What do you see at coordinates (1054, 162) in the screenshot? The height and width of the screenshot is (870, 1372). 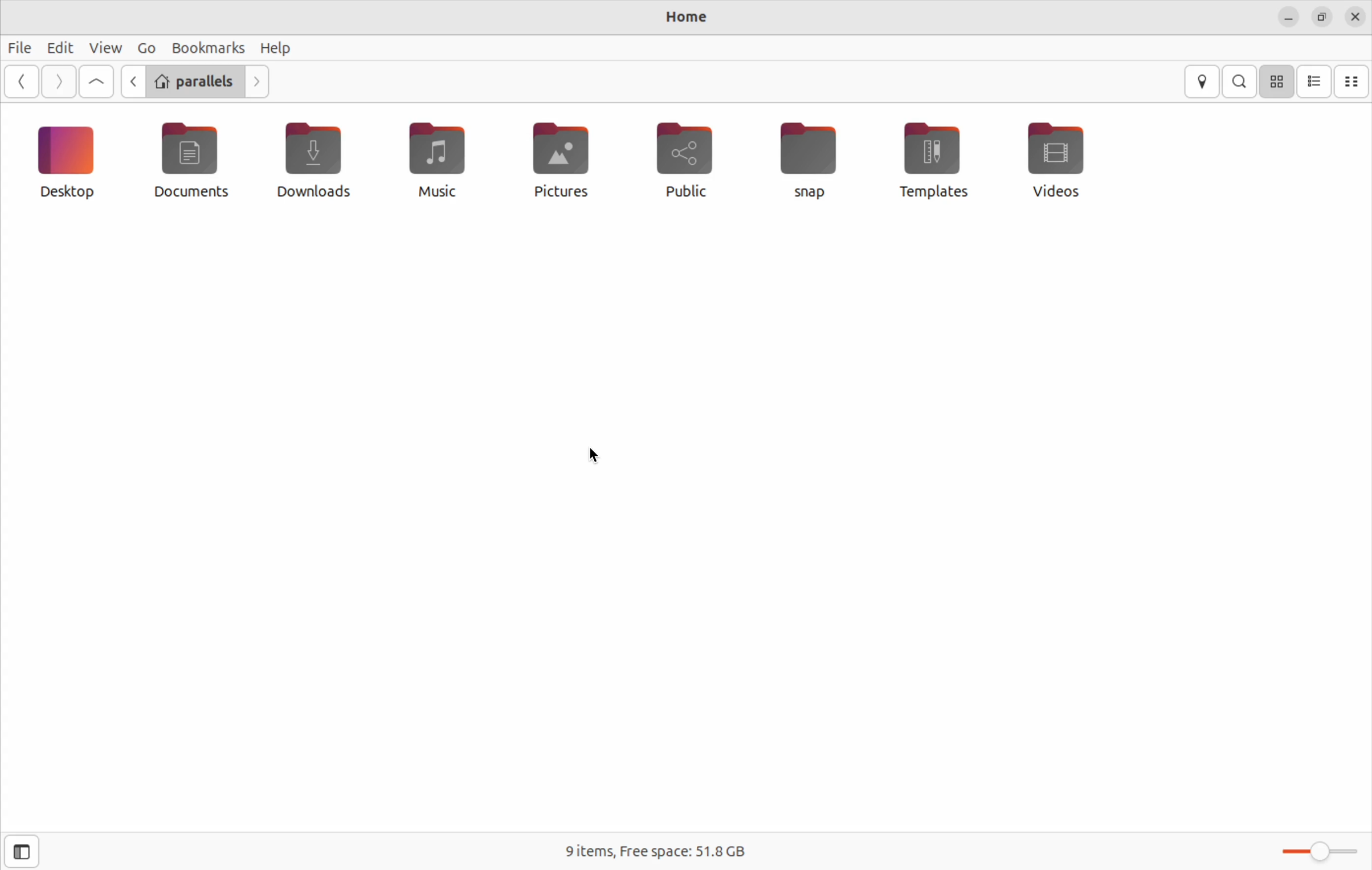 I see `videos` at bounding box center [1054, 162].